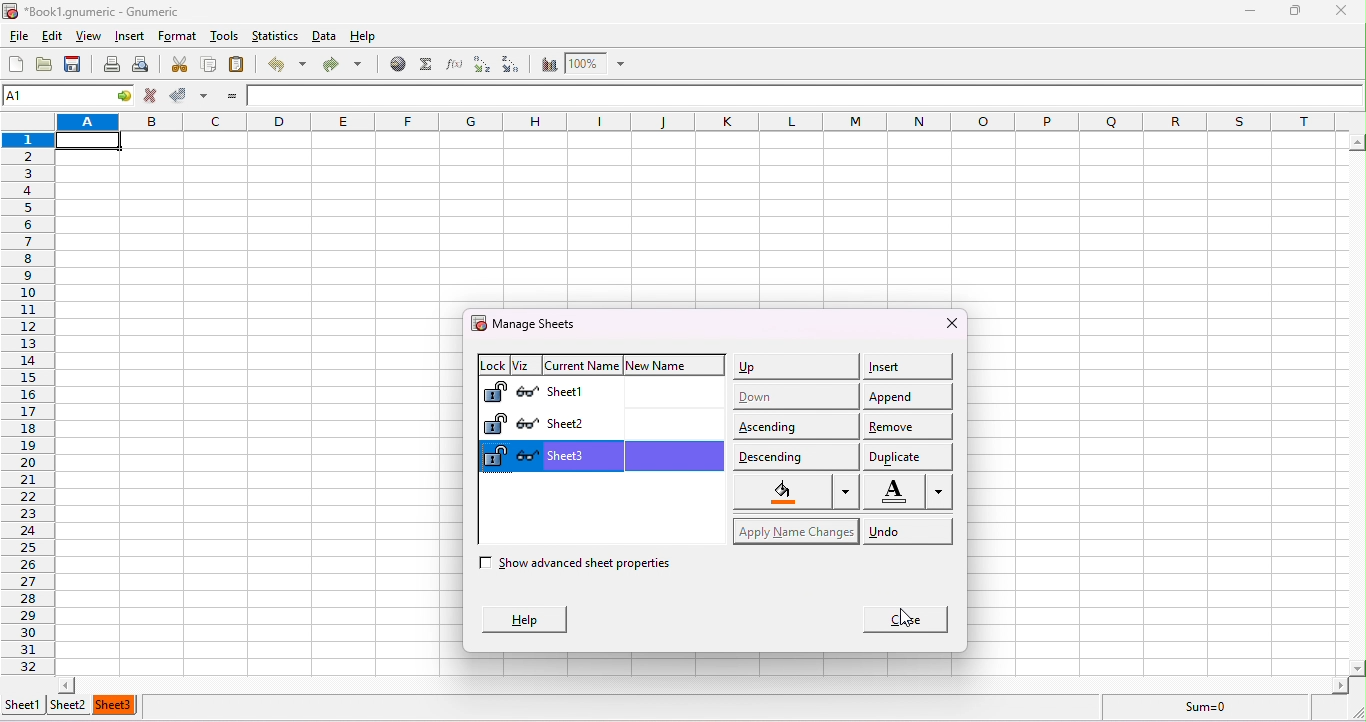 The height and width of the screenshot is (722, 1366). I want to click on sum into the current cell, so click(424, 65).